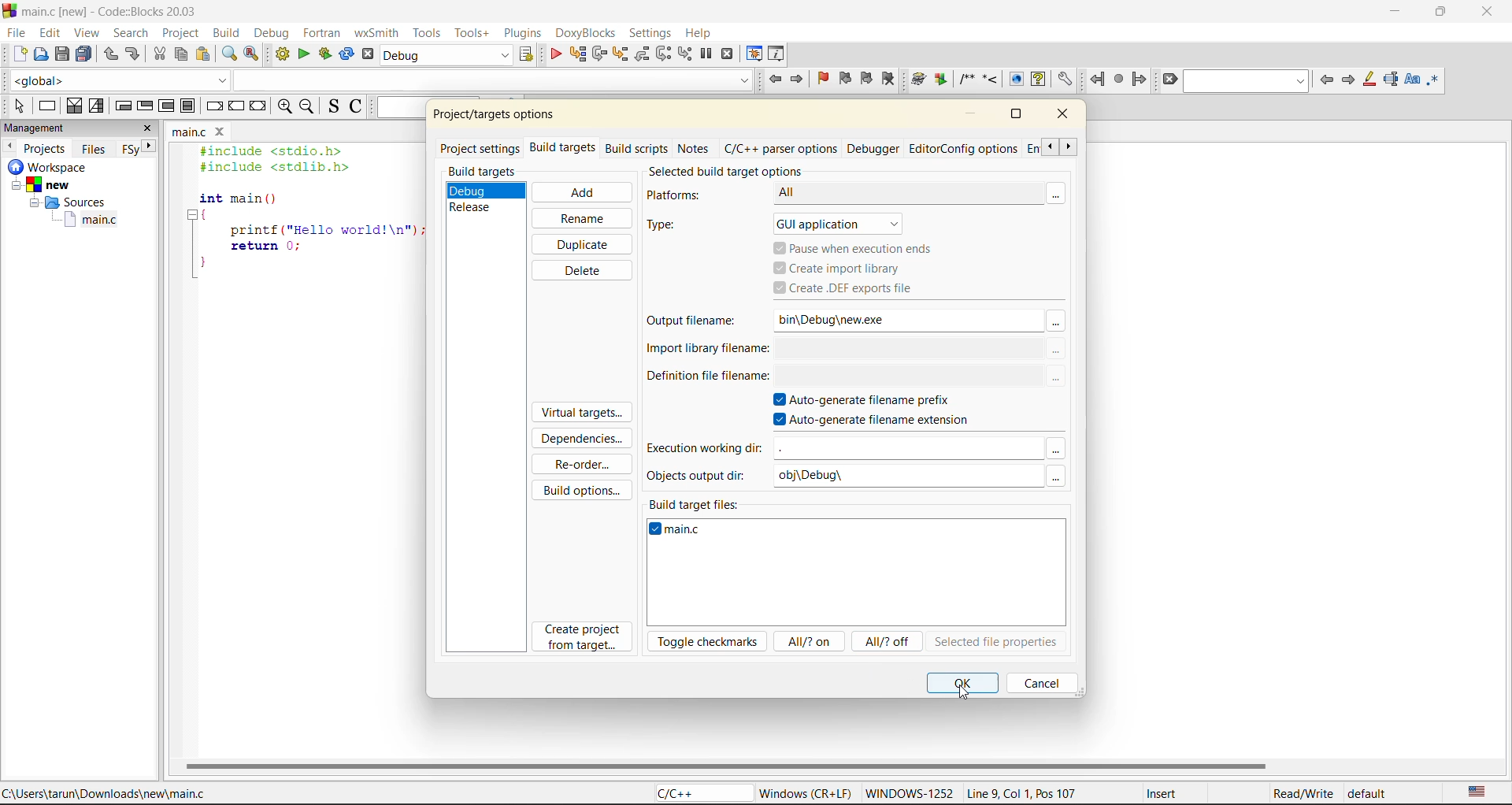 Image resolution: width=1512 pixels, height=805 pixels. I want to click on return instruction, so click(259, 108).